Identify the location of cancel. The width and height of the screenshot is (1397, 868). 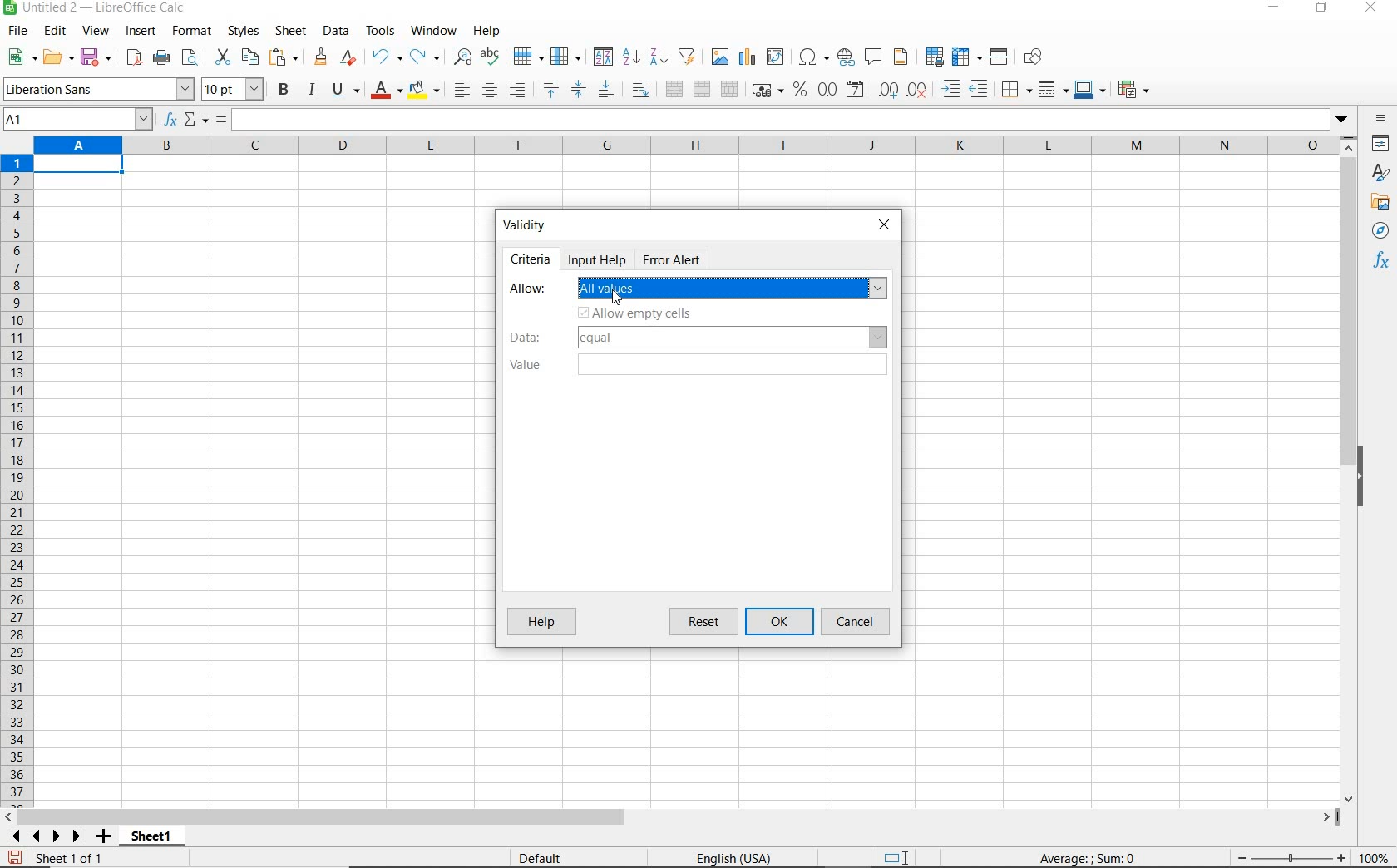
(857, 622).